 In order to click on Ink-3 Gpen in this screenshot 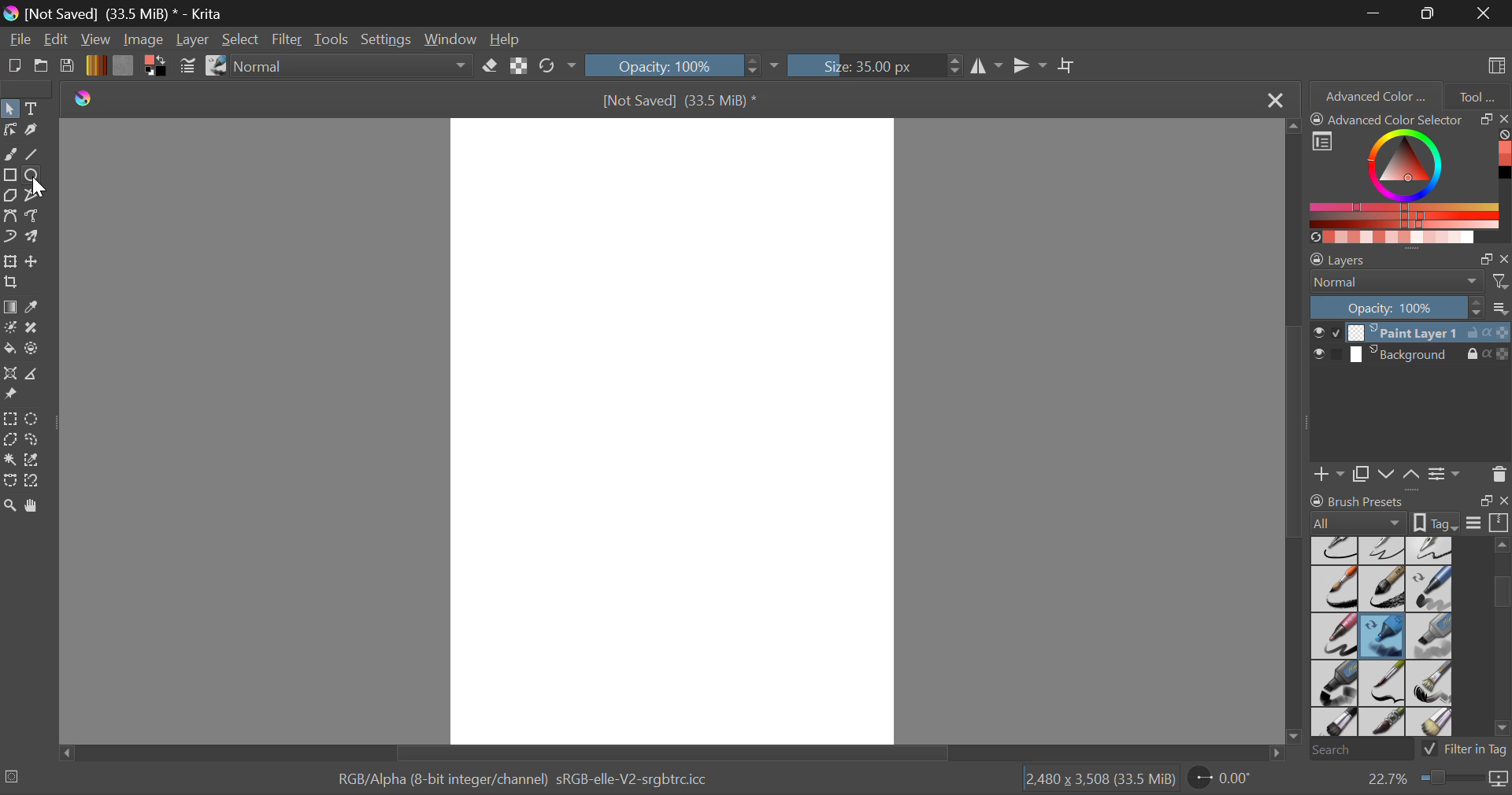, I will do `click(1384, 550)`.